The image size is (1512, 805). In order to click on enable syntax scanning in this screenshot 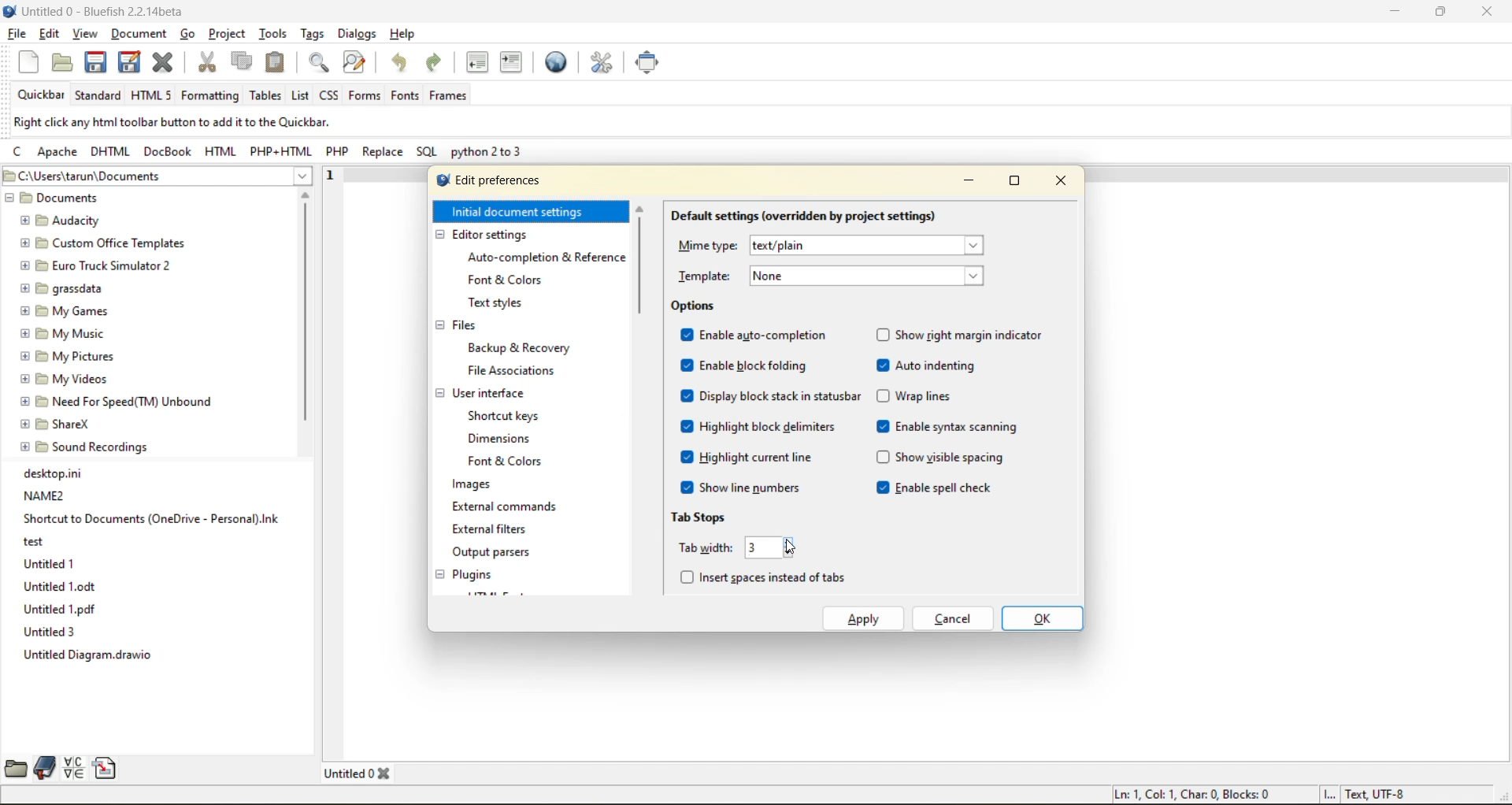, I will do `click(949, 426)`.